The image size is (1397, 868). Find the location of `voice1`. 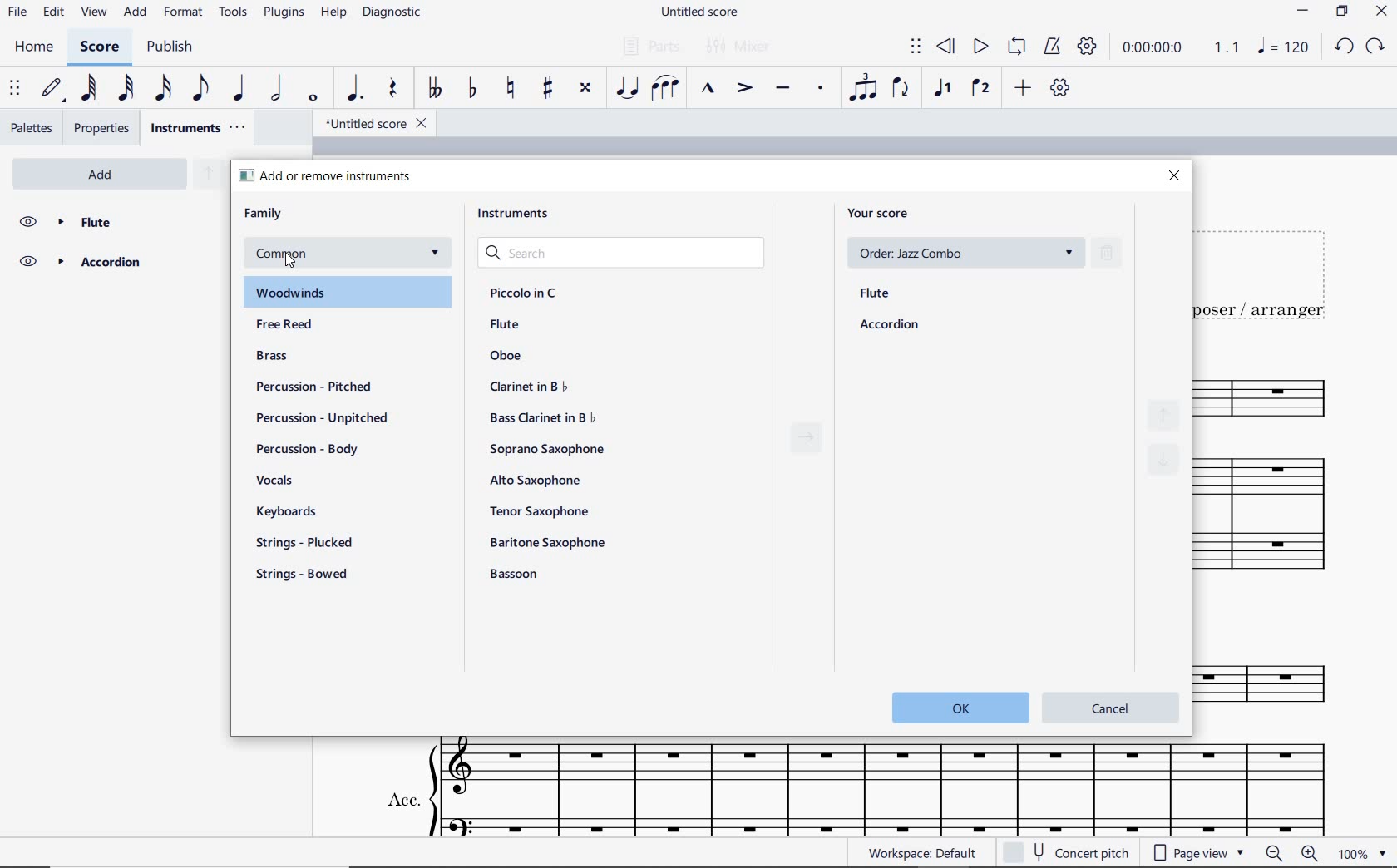

voice1 is located at coordinates (942, 89).